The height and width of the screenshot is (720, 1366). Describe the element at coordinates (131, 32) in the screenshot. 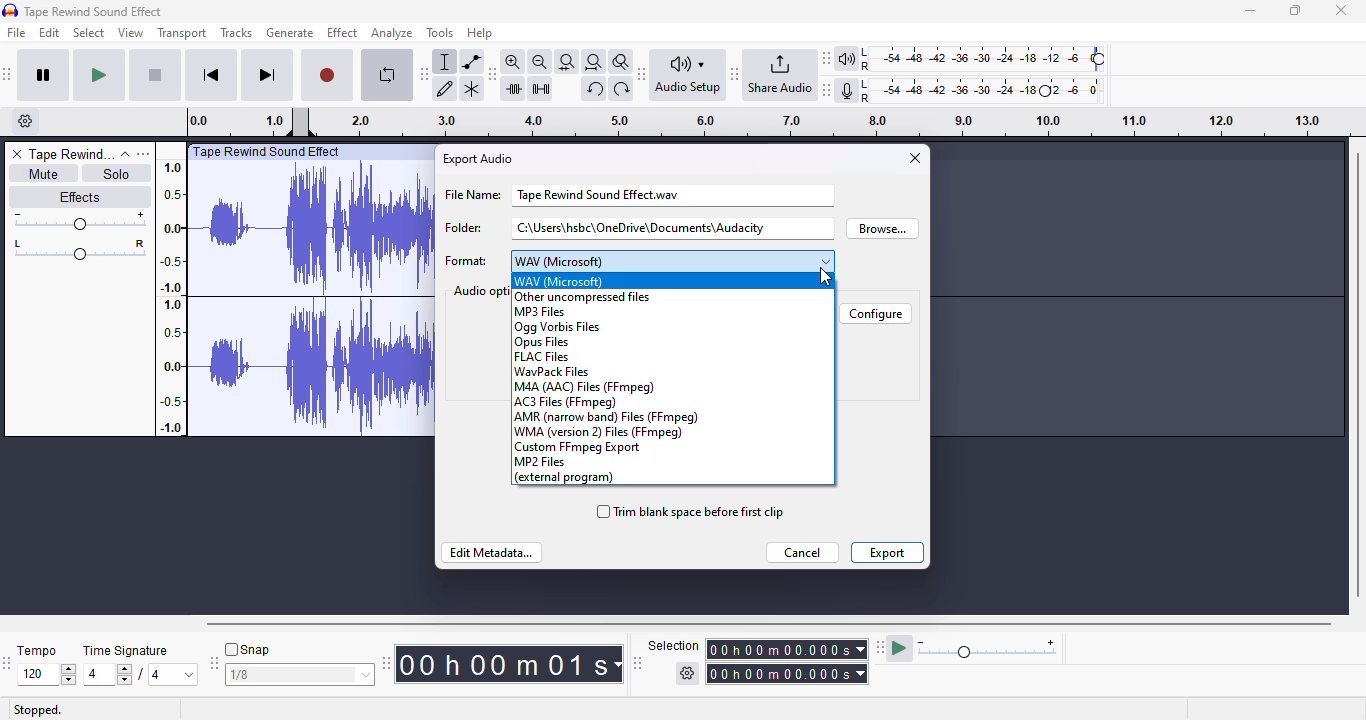

I see `view` at that location.